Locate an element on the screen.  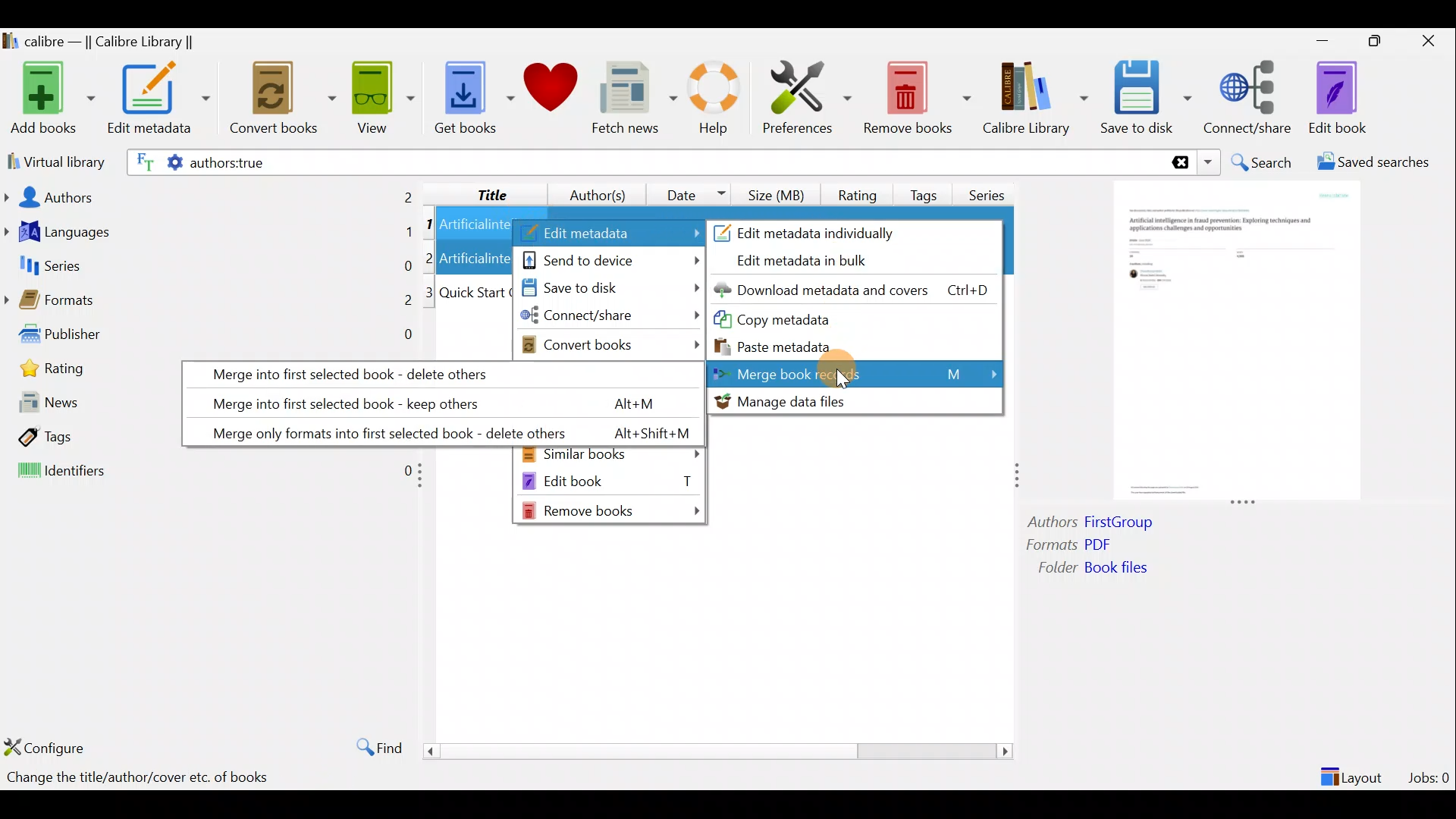
Layout is located at coordinates (1354, 770).